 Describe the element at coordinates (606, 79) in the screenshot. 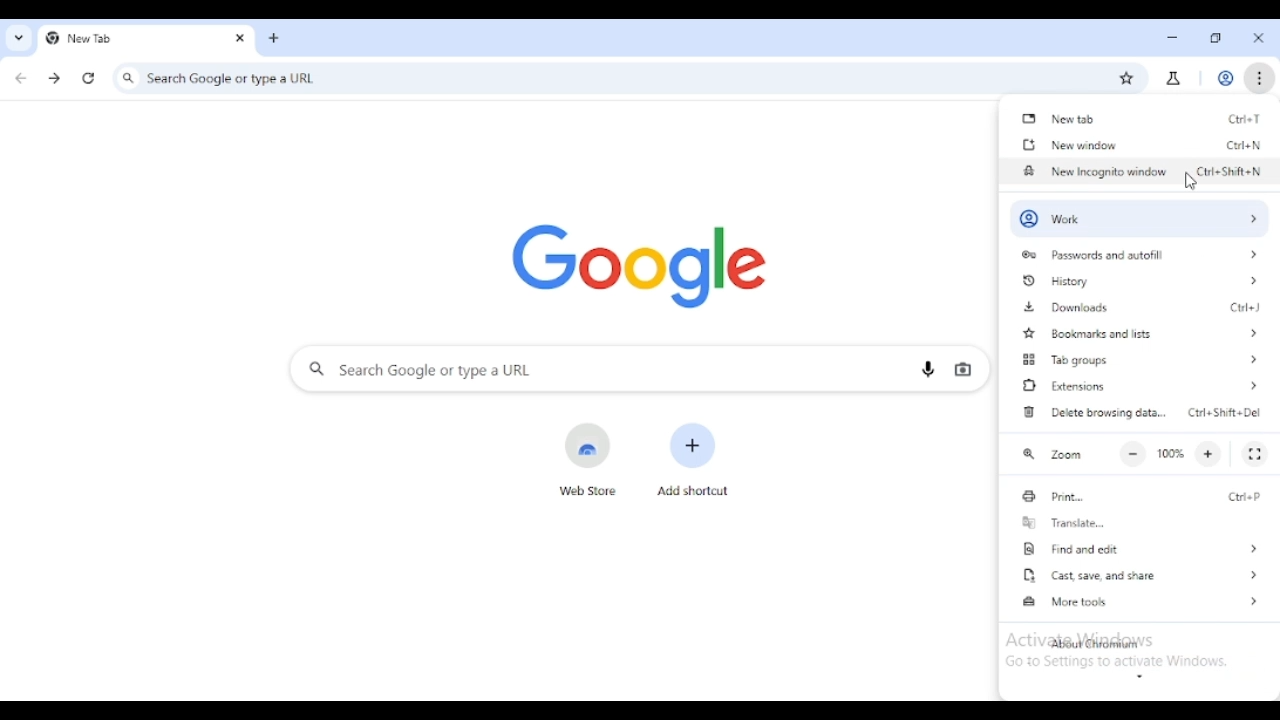

I see `search google or type a URL` at that location.